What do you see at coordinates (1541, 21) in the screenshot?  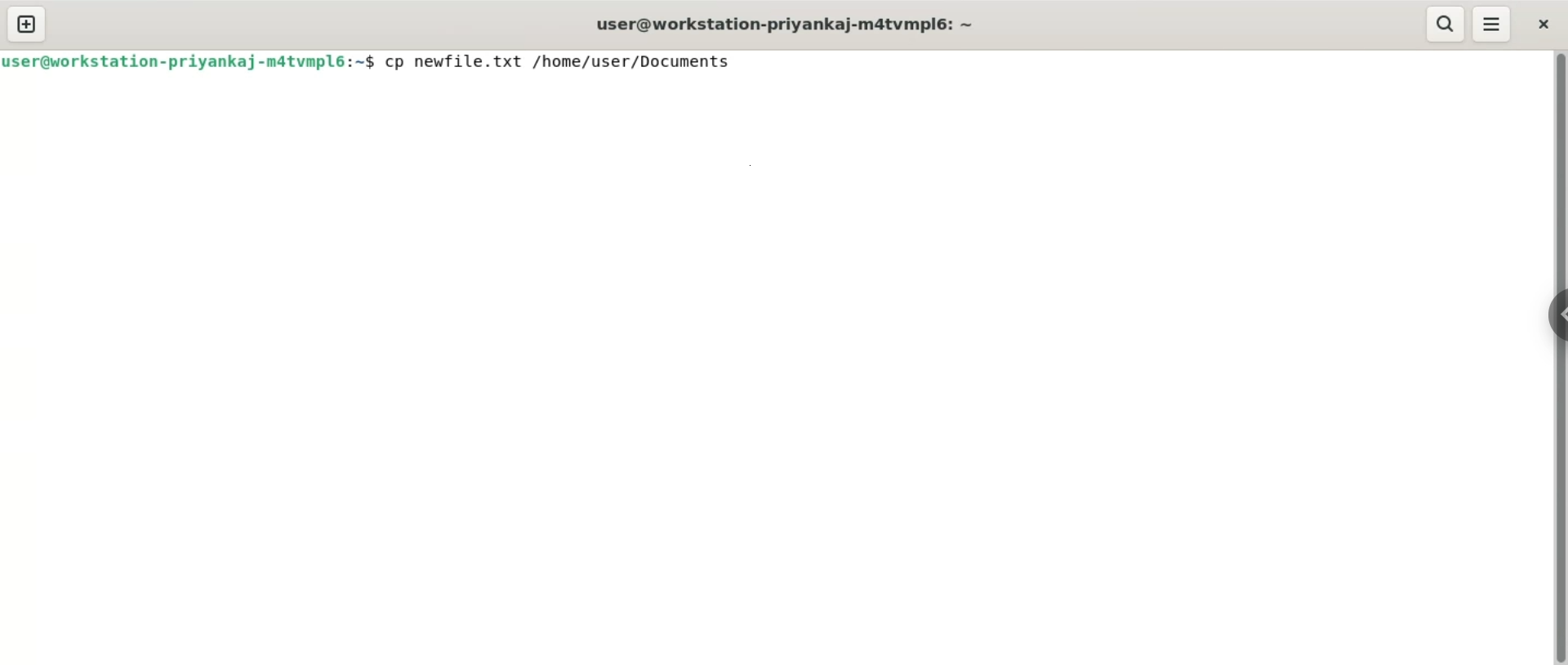 I see `close` at bounding box center [1541, 21].